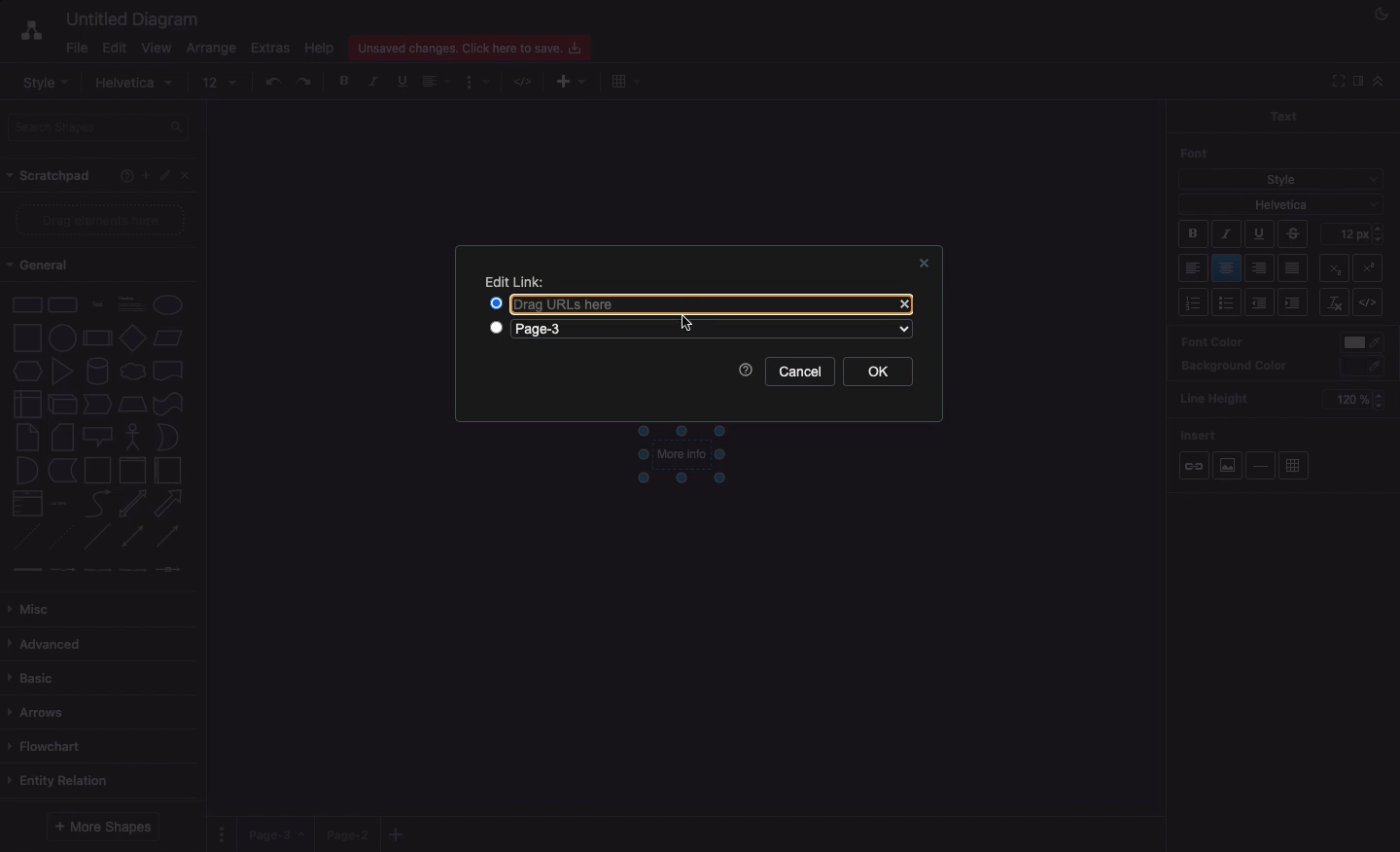  Describe the element at coordinates (75, 47) in the screenshot. I see `File` at that location.